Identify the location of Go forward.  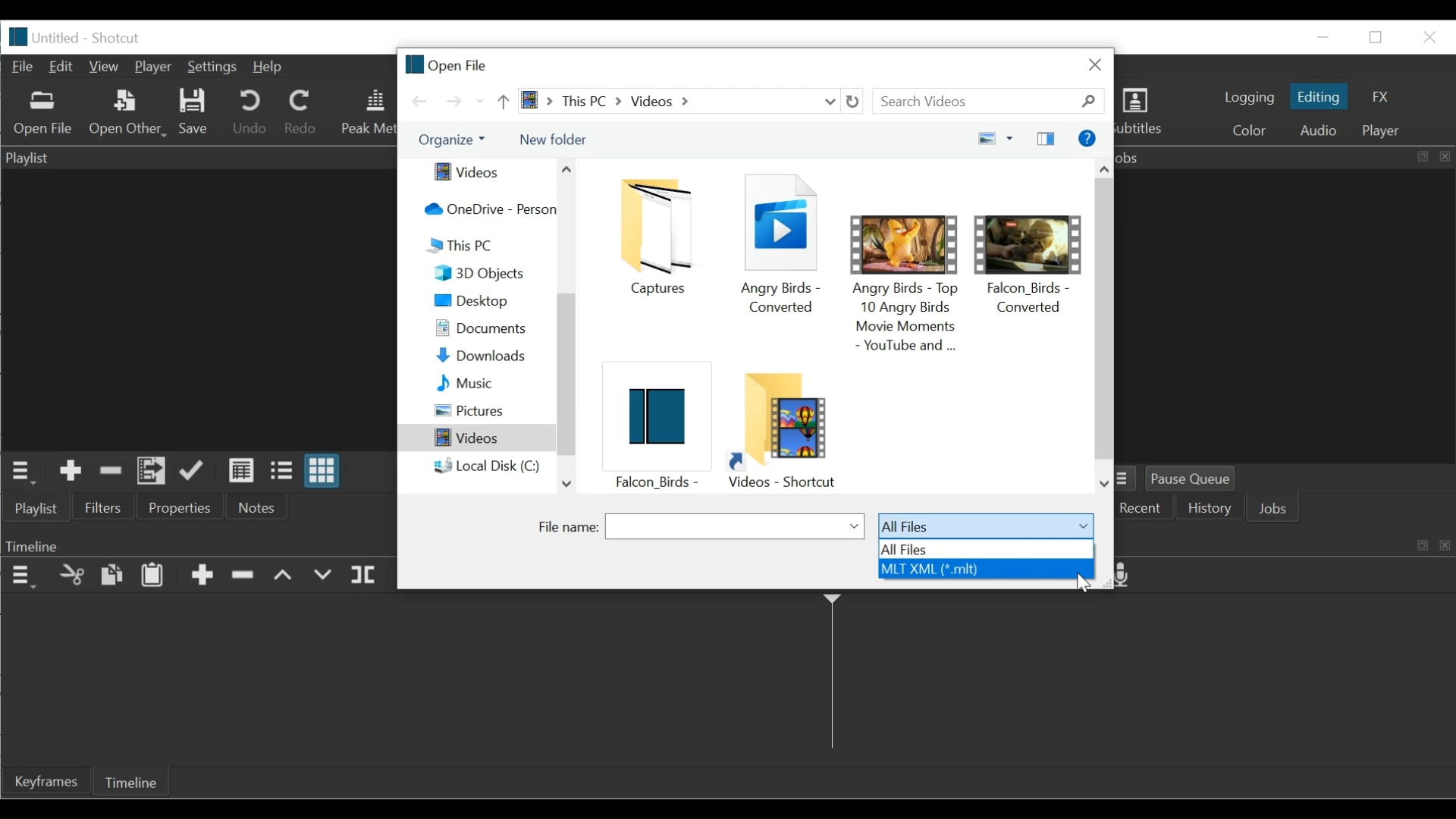
(453, 102).